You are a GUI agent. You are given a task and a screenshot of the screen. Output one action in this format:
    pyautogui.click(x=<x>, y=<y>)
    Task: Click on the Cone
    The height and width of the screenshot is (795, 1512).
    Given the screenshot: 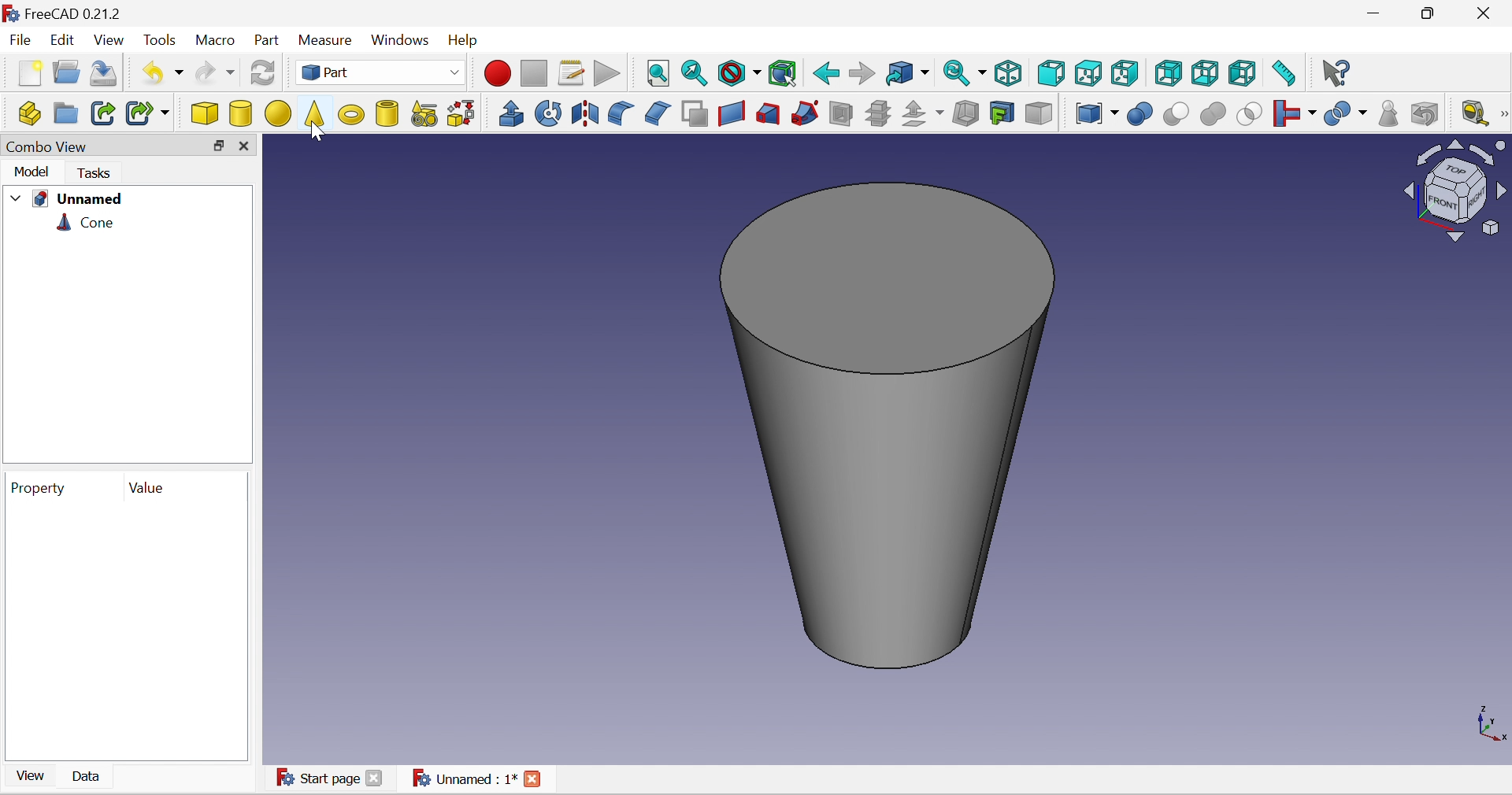 What is the action you would take?
    pyautogui.click(x=887, y=427)
    